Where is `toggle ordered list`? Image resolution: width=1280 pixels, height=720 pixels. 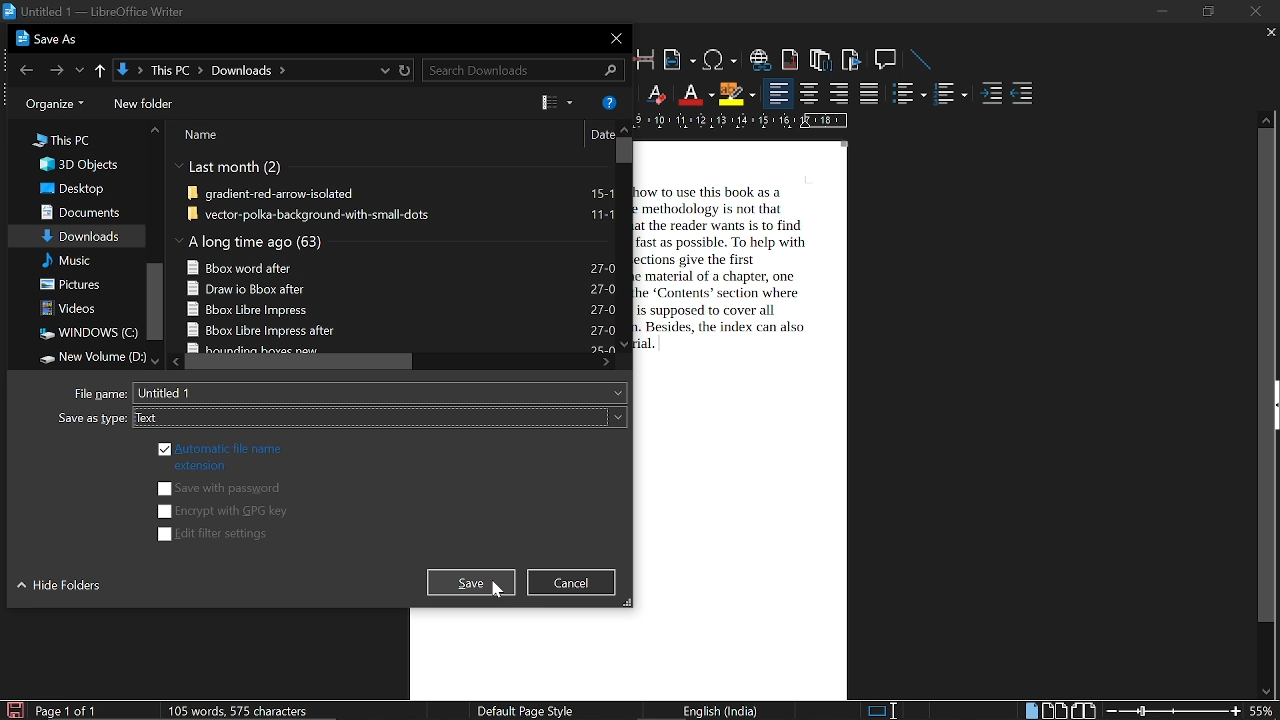 toggle ordered list is located at coordinates (910, 92).